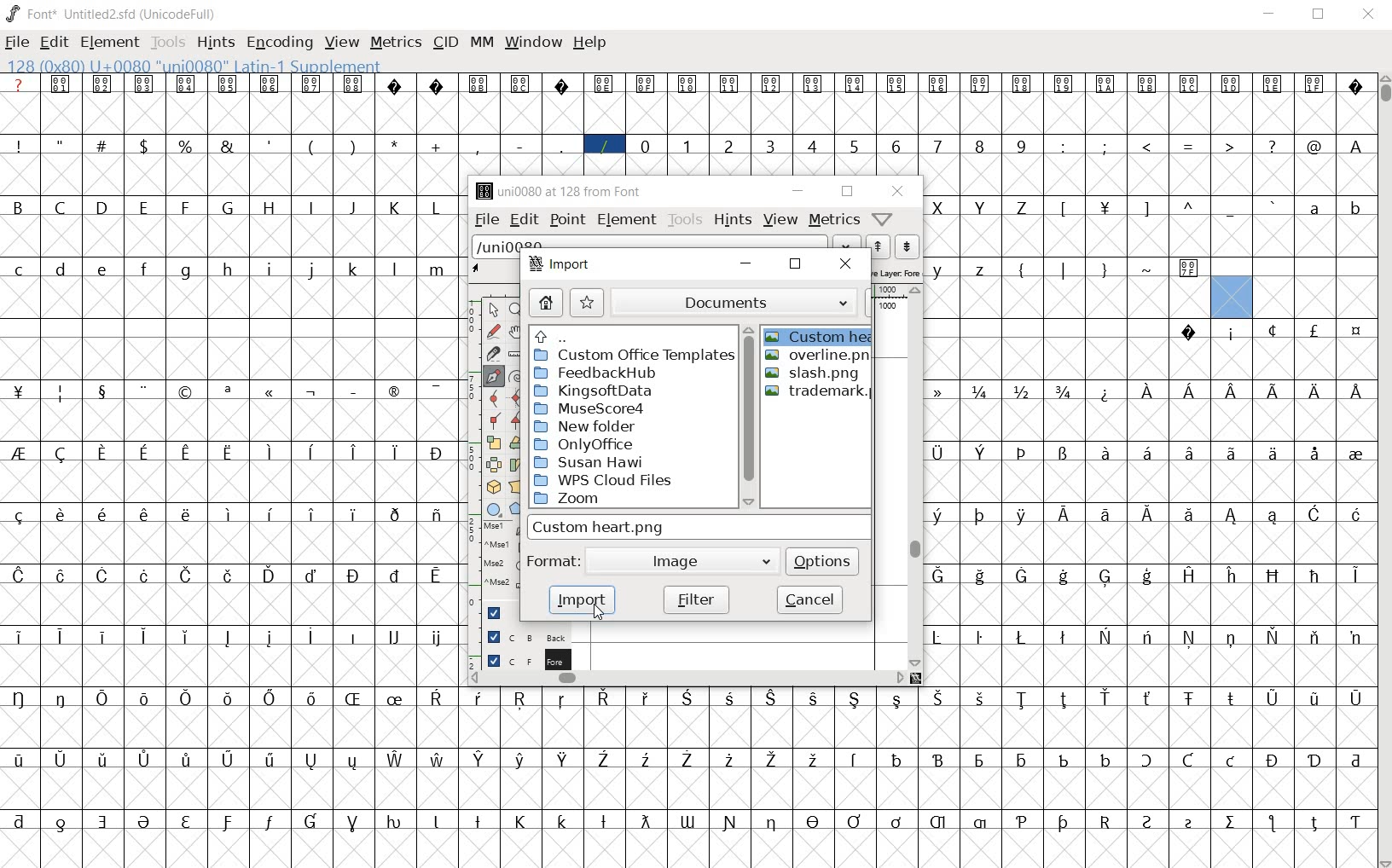 The height and width of the screenshot is (868, 1392). What do you see at coordinates (1356, 576) in the screenshot?
I see `glyph` at bounding box center [1356, 576].